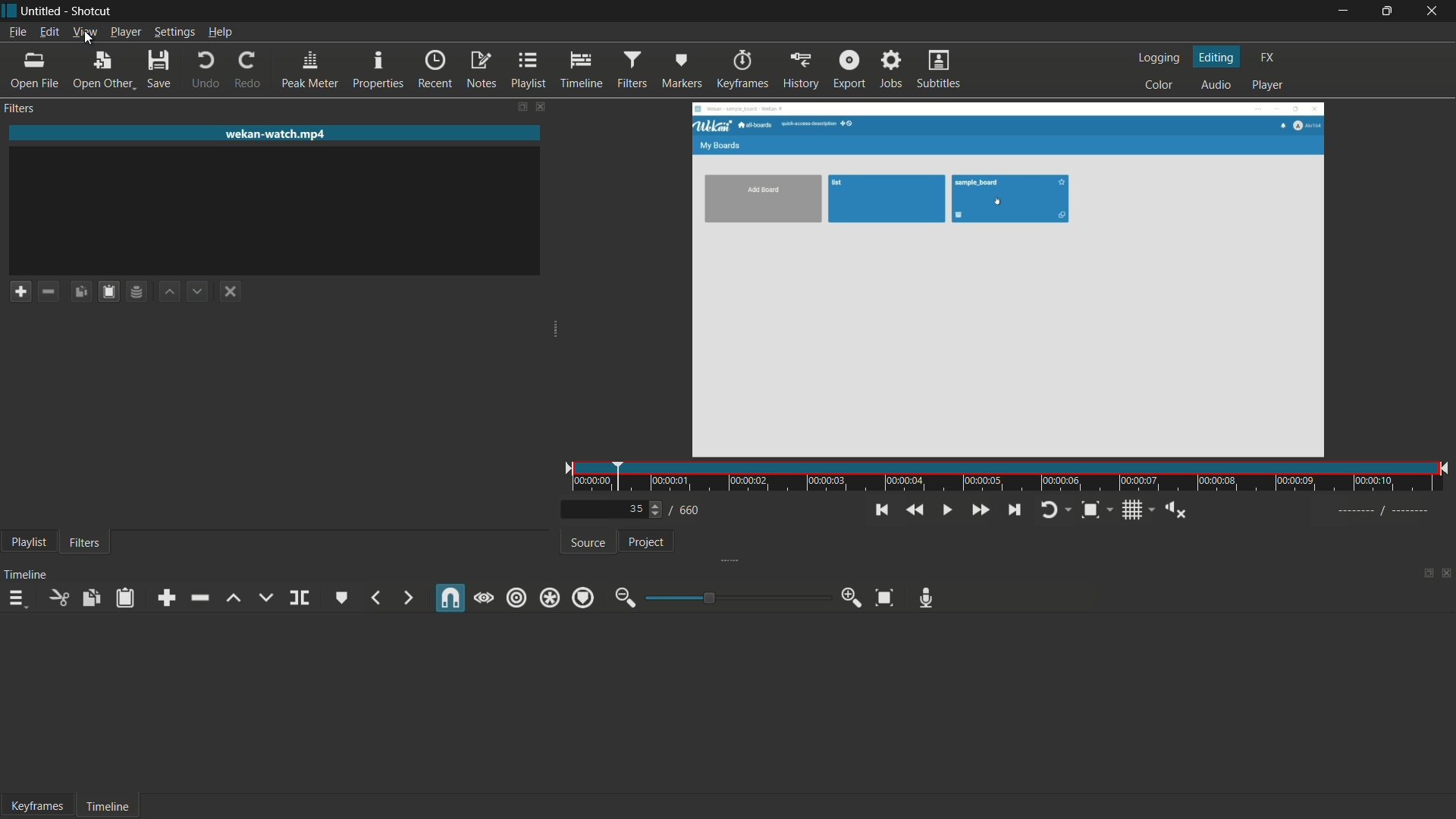 The height and width of the screenshot is (819, 1456). Describe the element at coordinates (519, 106) in the screenshot. I see `change layout` at that location.